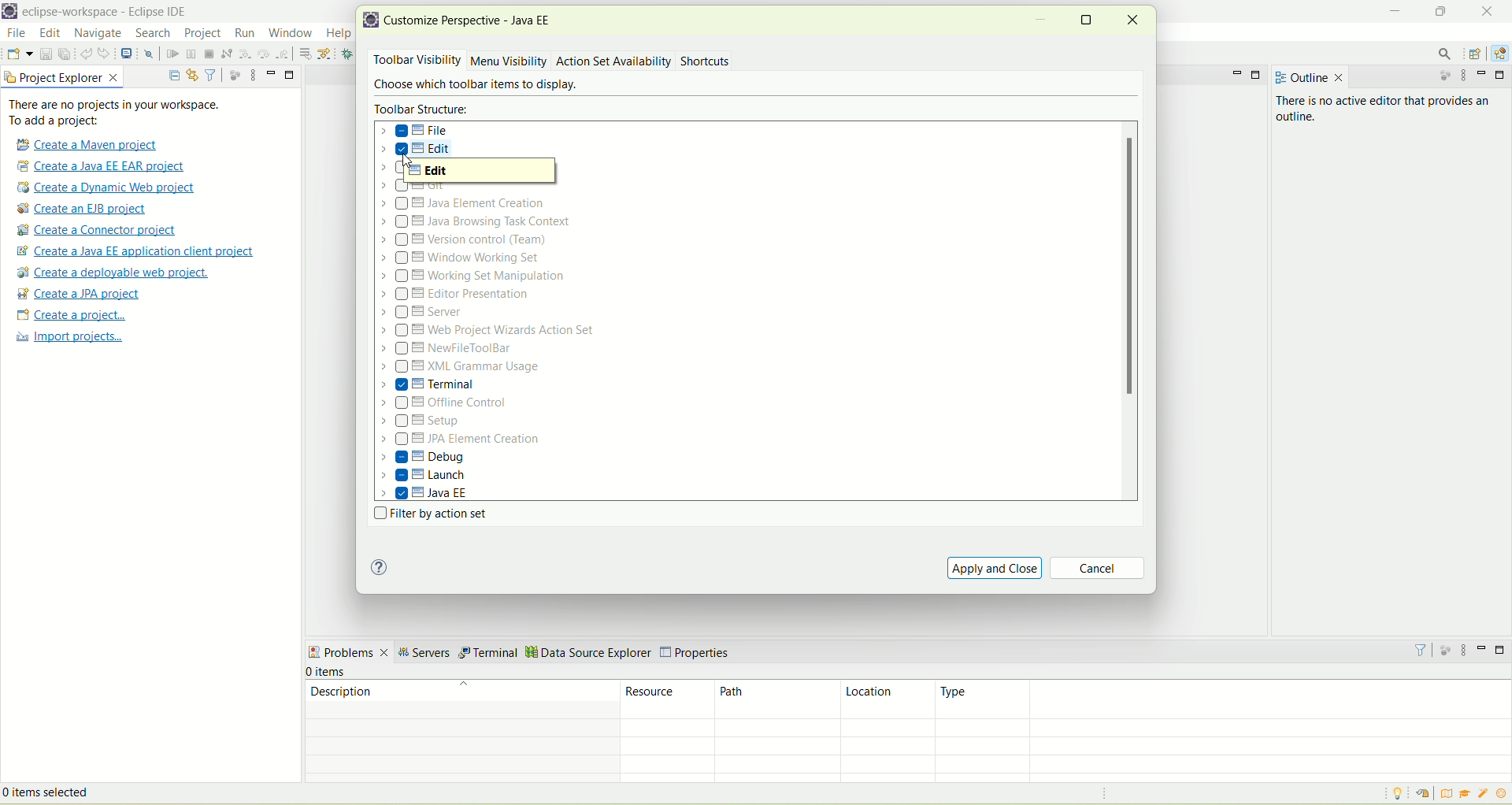 This screenshot has width=1512, height=805. I want to click on run, so click(246, 32).